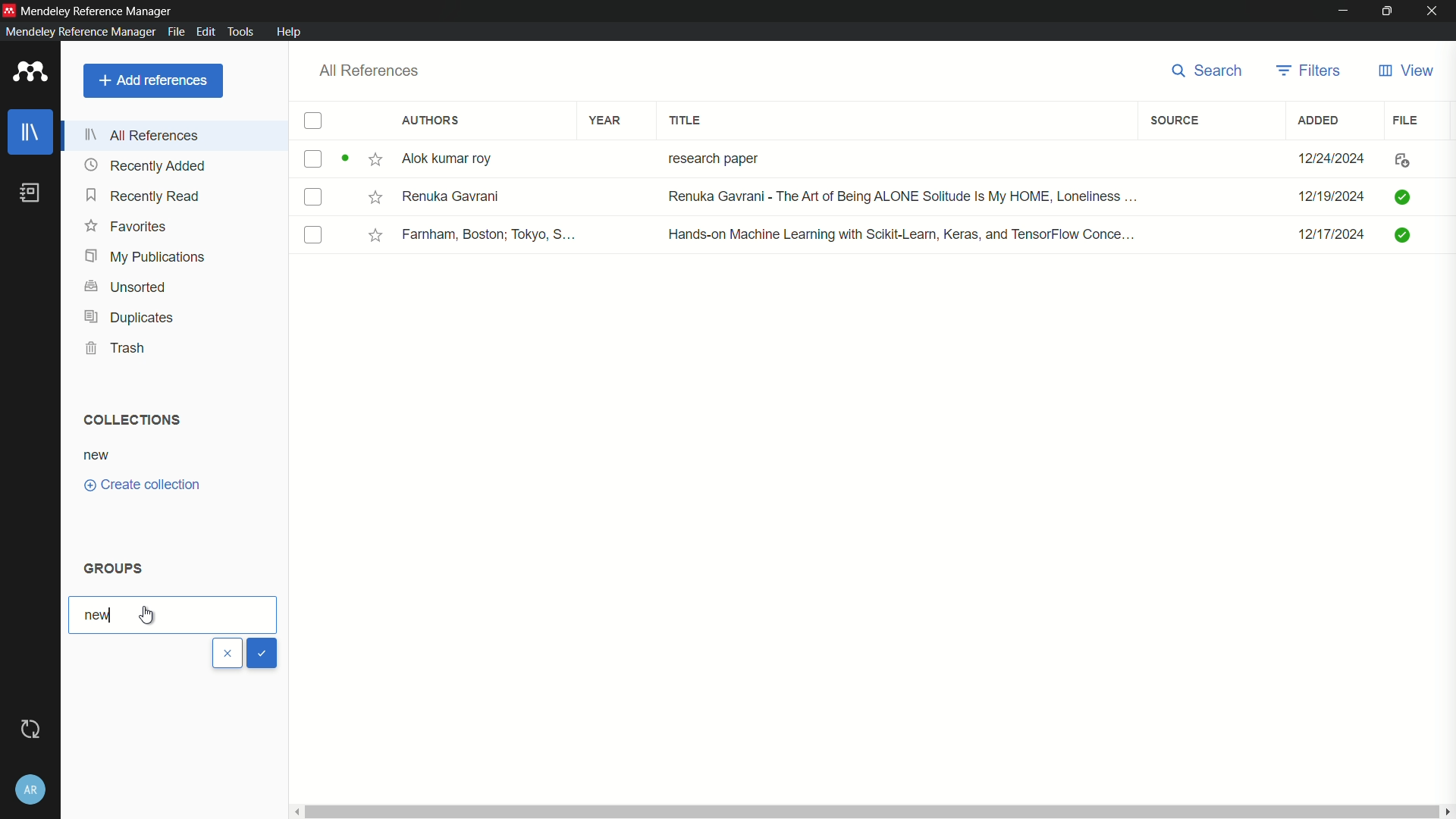  What do you see at coordinates (127, 227) in the screenshot?
I see `favorites` at bounding box center [127, 227].